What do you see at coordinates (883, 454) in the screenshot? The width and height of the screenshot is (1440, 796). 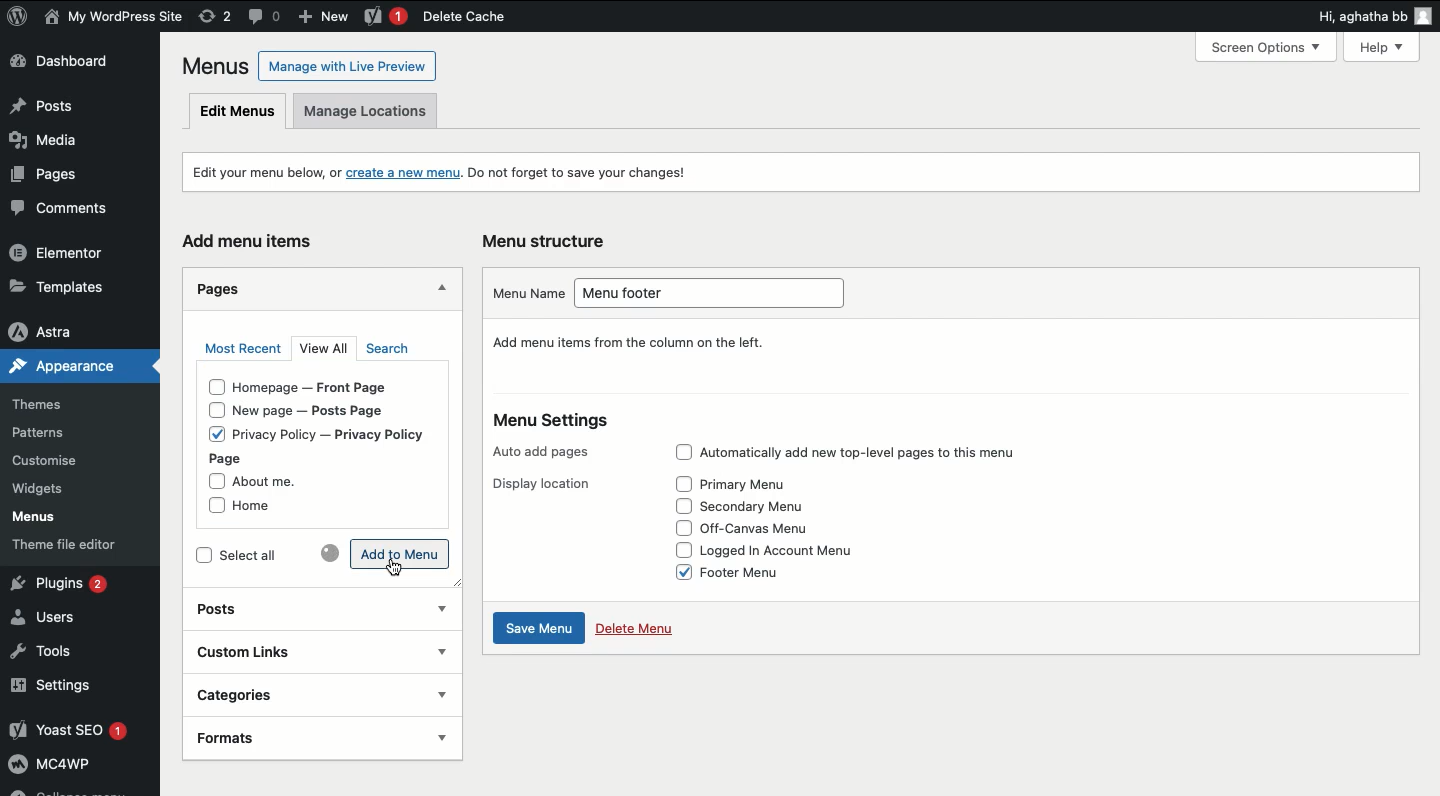 I see `Automatically add top level pages to this menu` at bounding box center [883, 454].